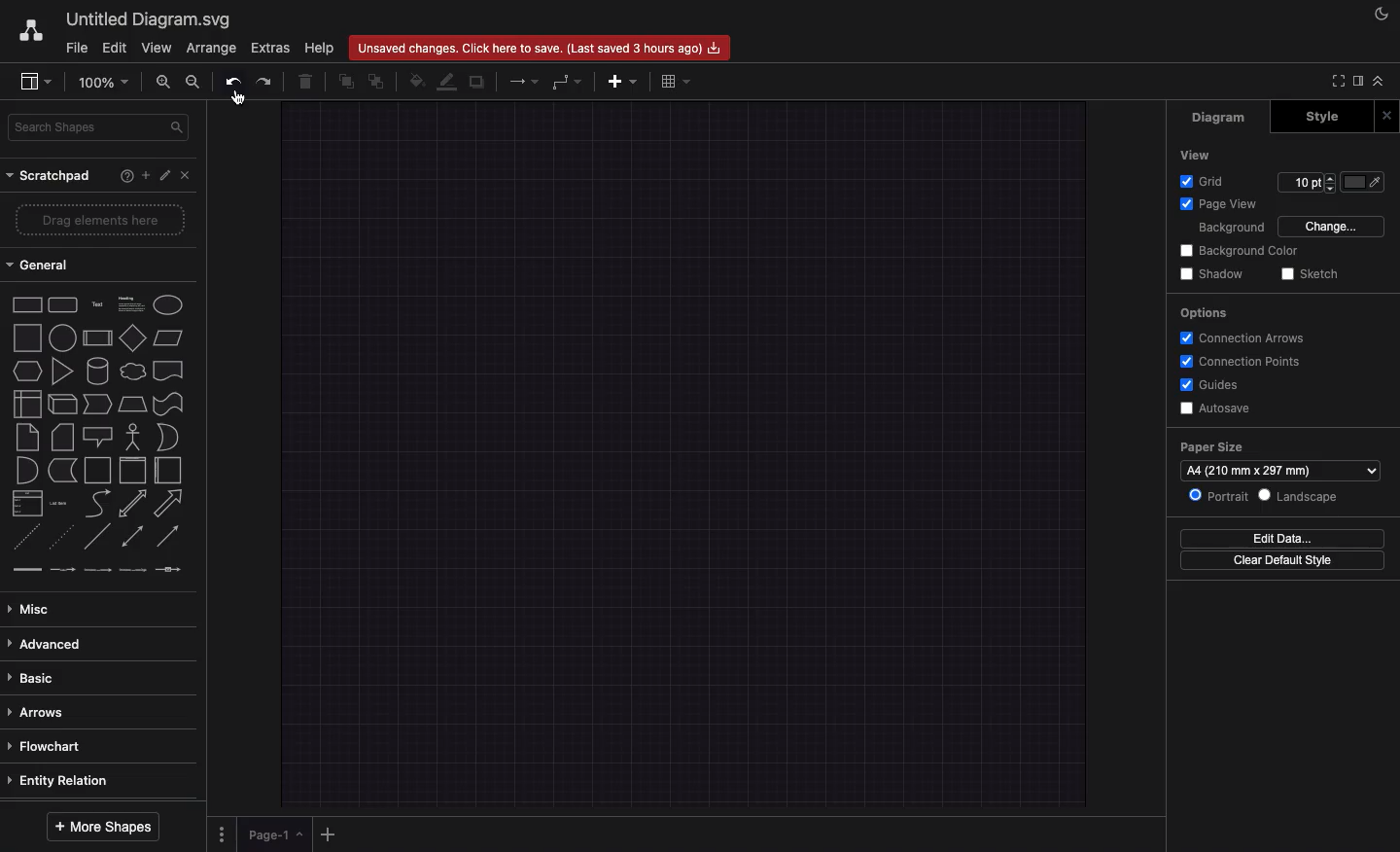 The image size is (1400, 852). Describe the element at coordinates (51, 749) in the screenshot. I see `Flowchart` at that location.